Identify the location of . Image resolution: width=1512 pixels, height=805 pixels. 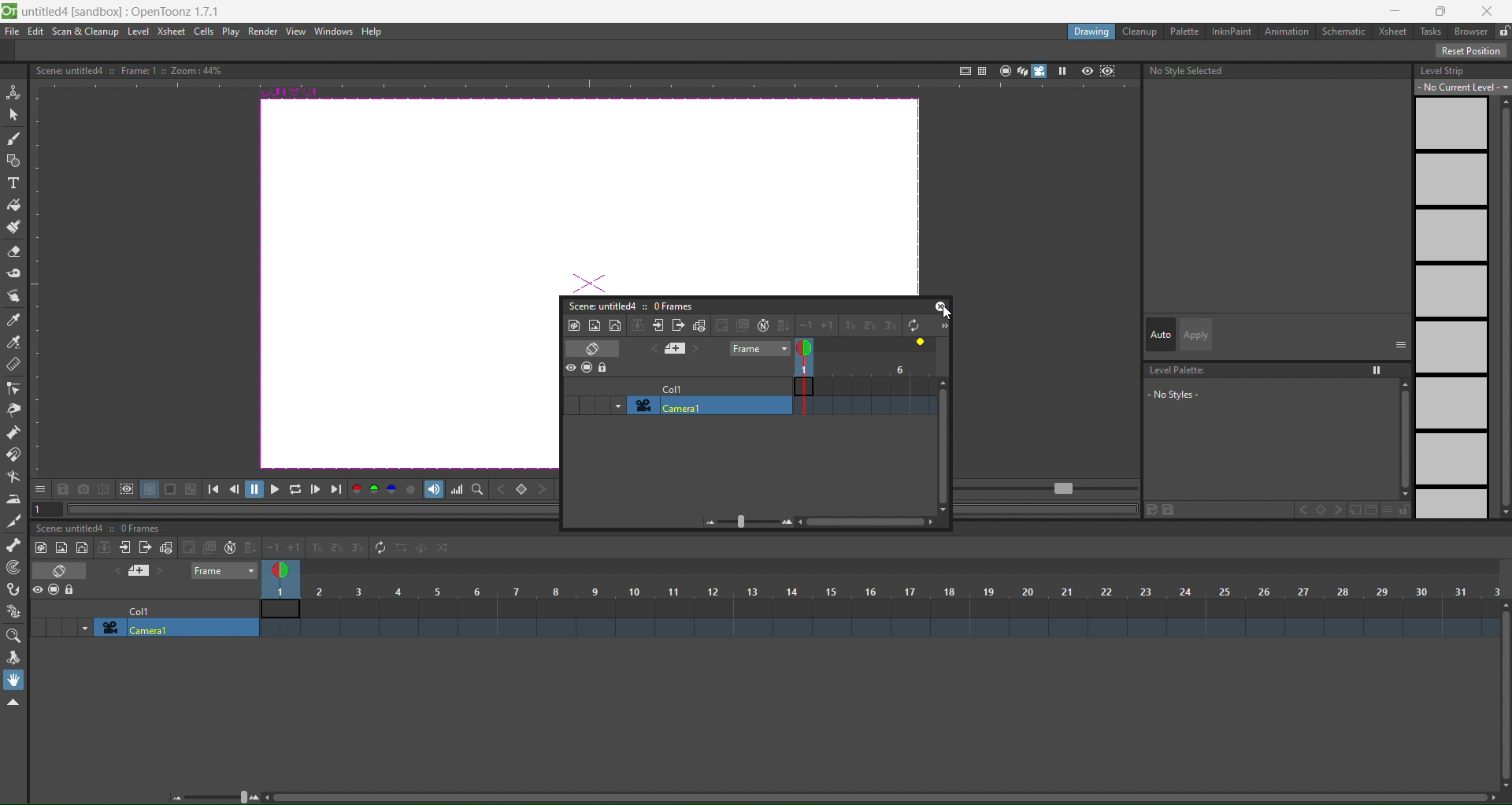
(676, 350).